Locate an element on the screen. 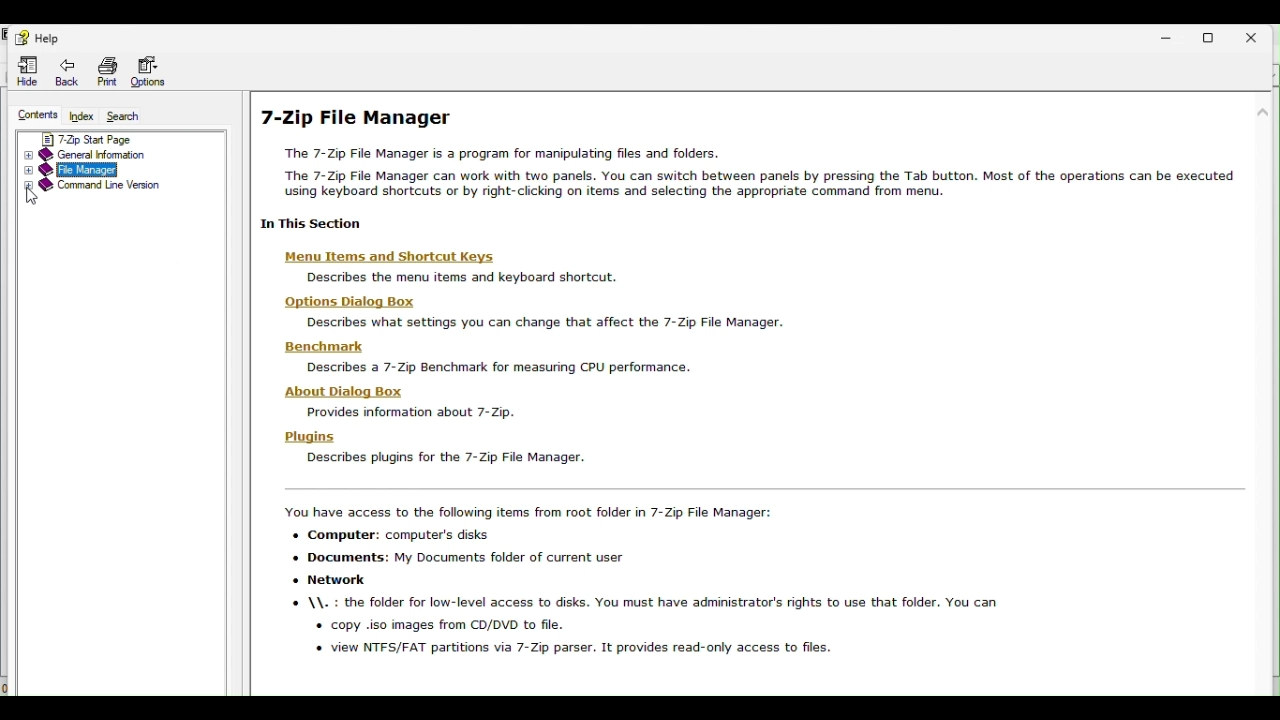 The image size is (1280, 720). Provides information about 7-Zip. is located at coordinates (414, 414).